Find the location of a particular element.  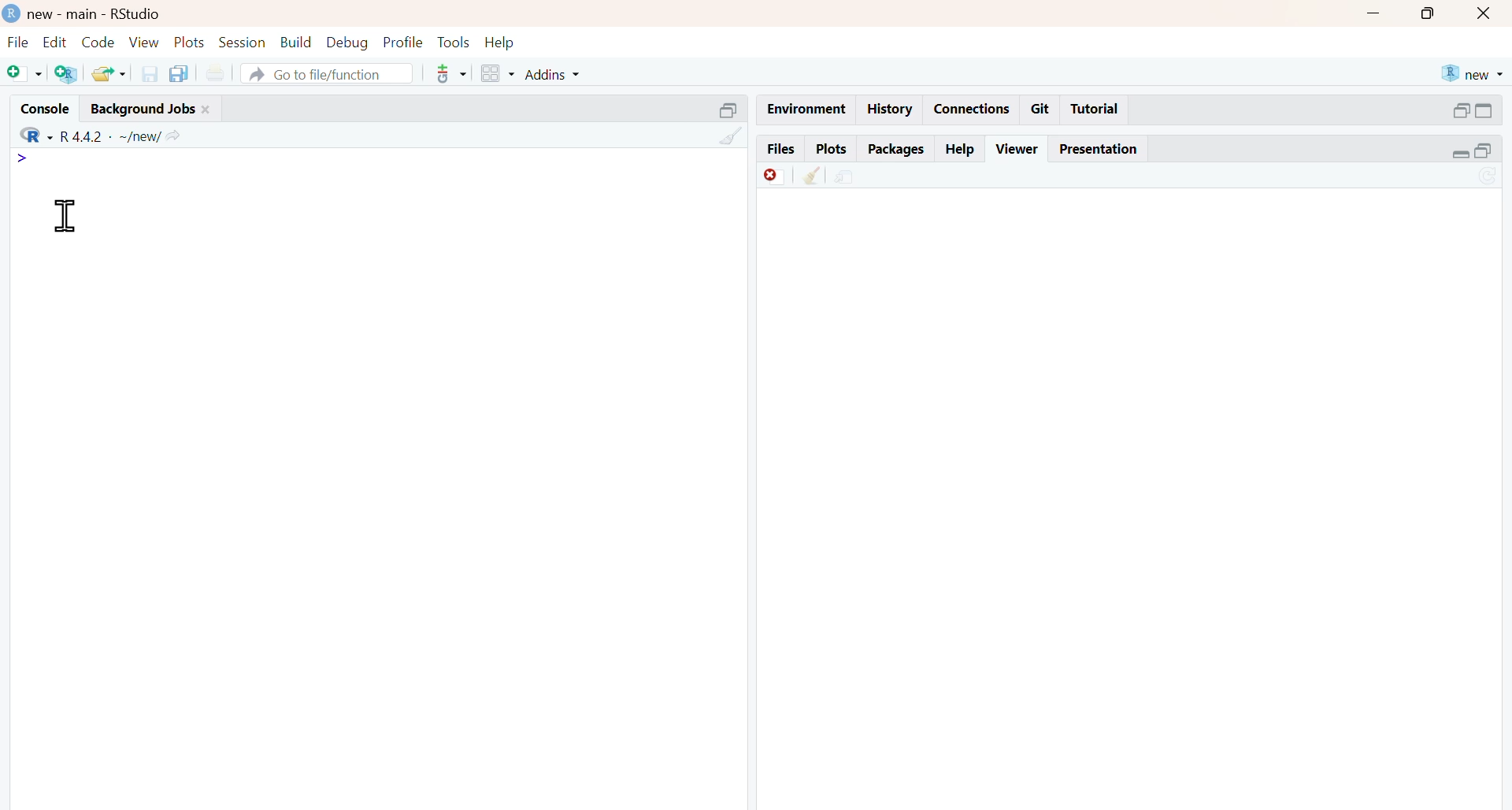

git is located at coordinates (1039, 109).